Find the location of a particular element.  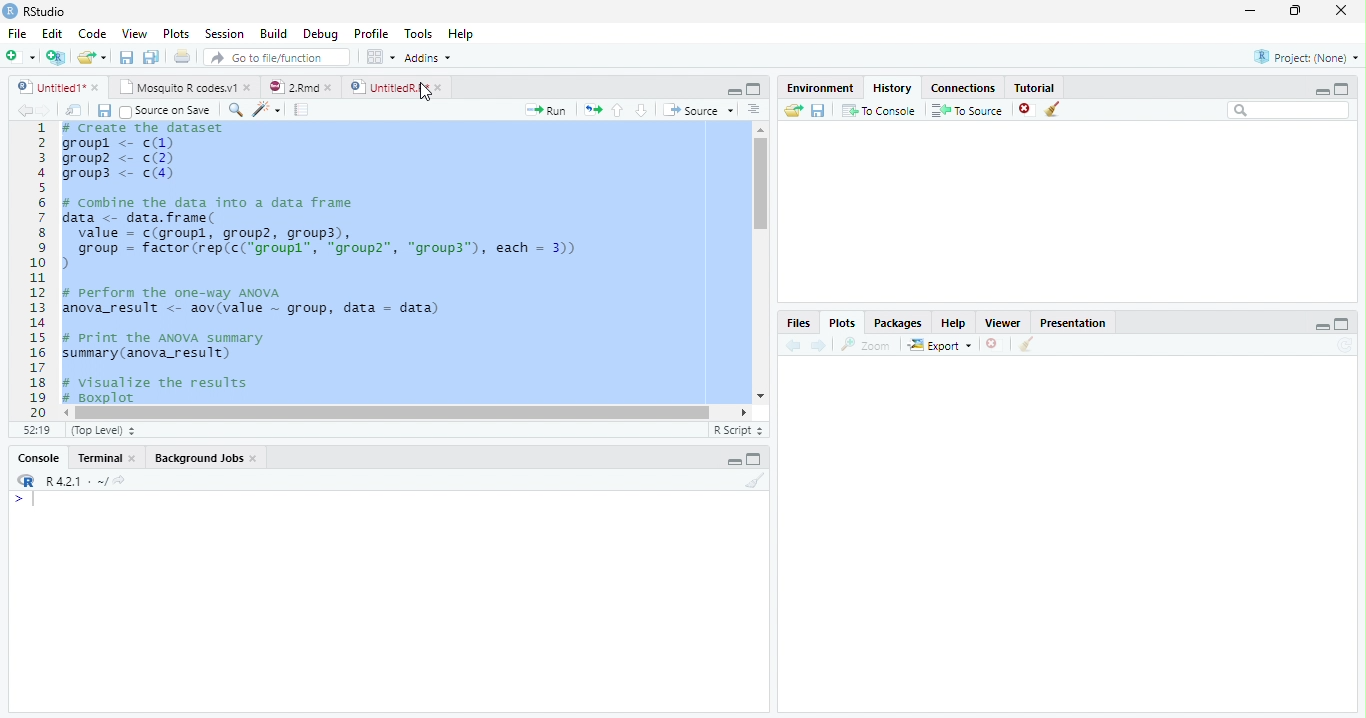

Viewer is located at coordinates (1005, 322).